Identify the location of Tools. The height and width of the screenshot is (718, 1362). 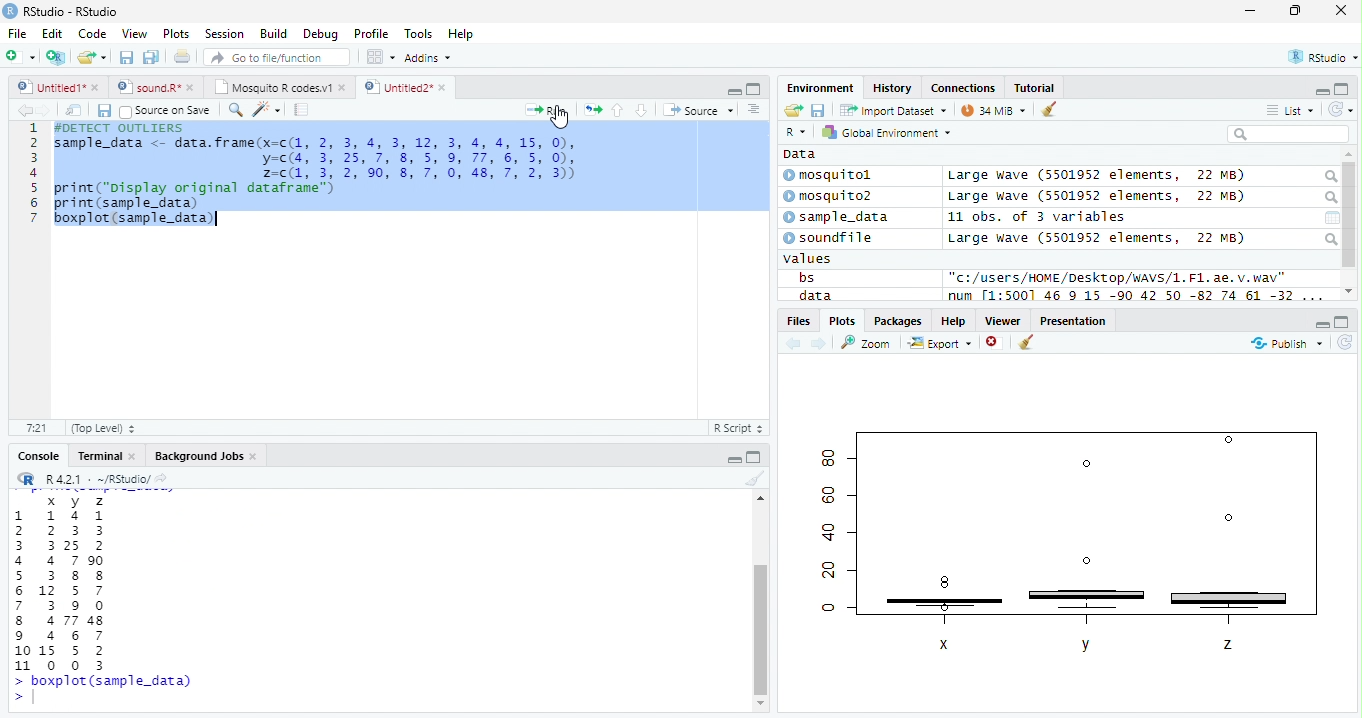
(418, 35).